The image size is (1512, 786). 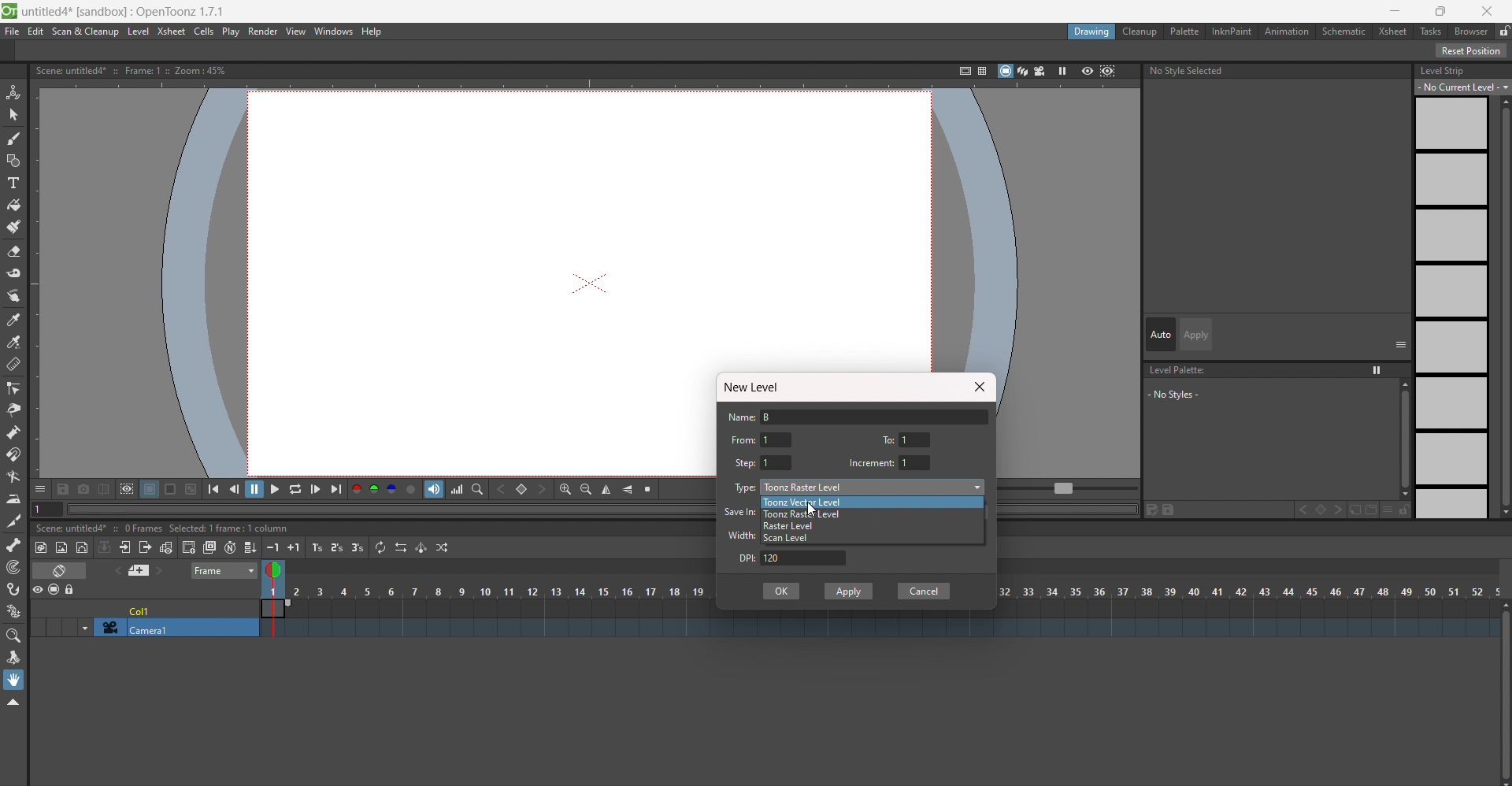 I want to click on type, so click(x=746, y=488).